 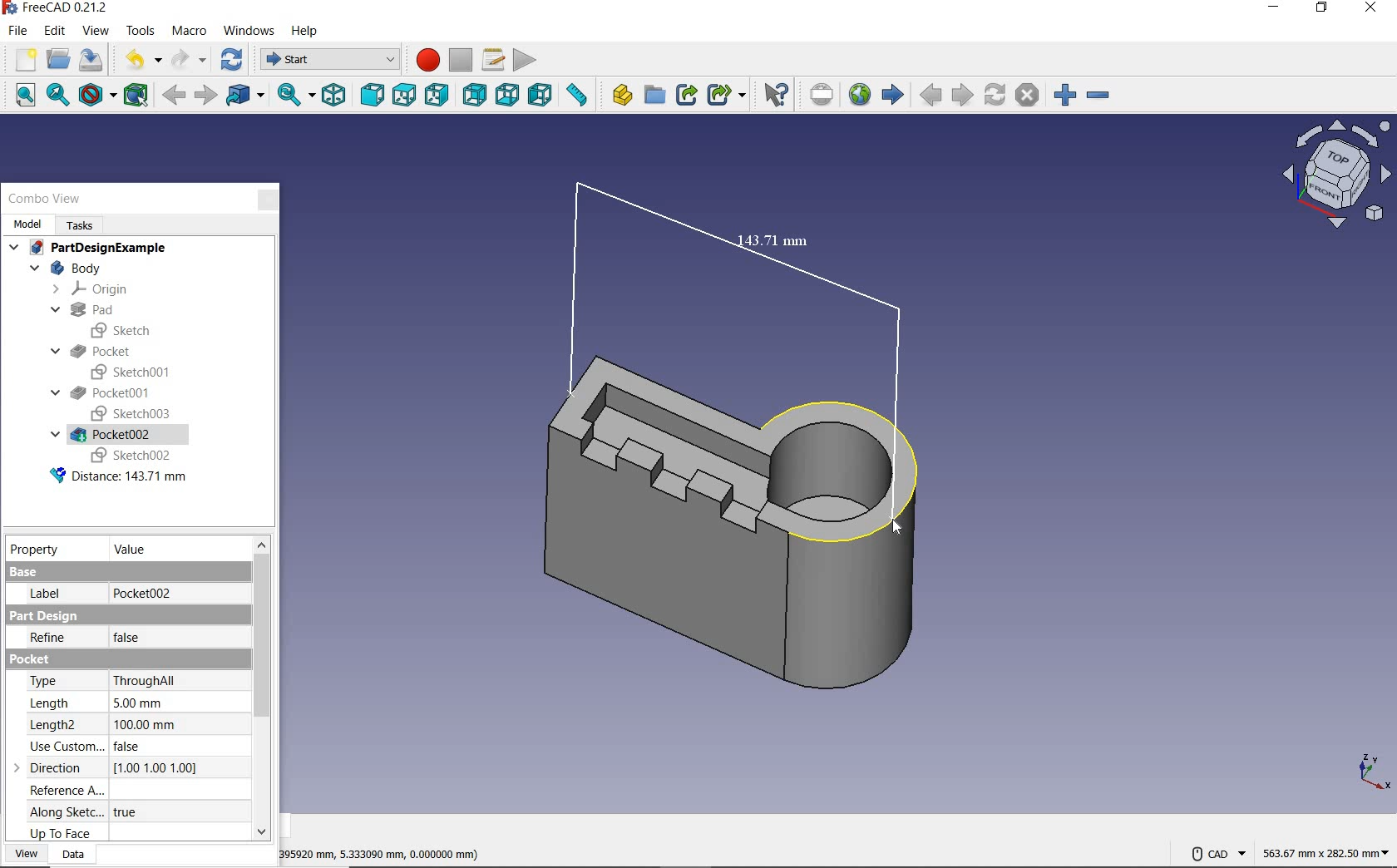 I want to click on macros, so click(x=494, y=60).